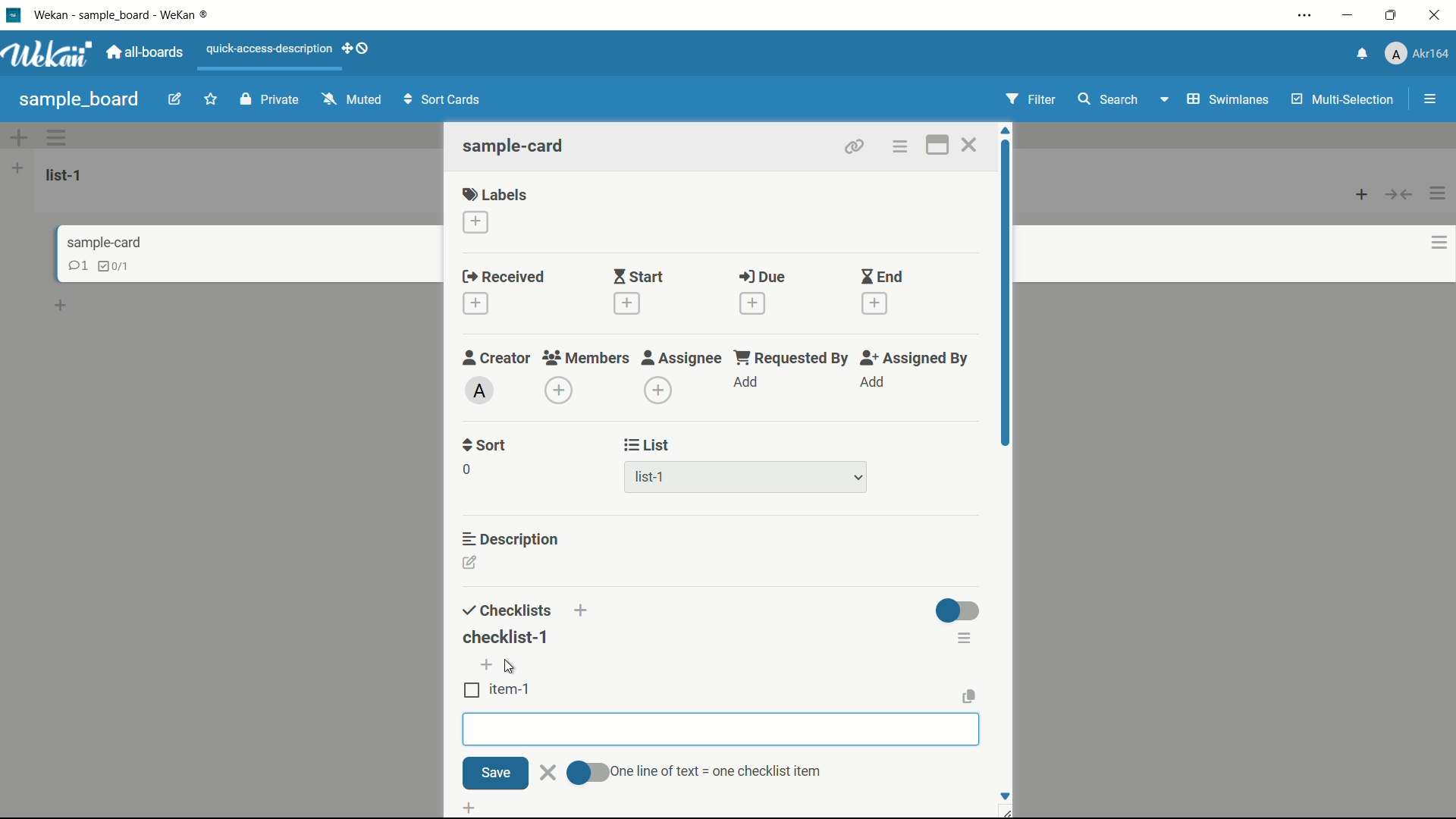 The width and height of the screenshot is (1456, 819). Describe the element at coordinates (1212, 99) in the screenshot. I see ` Swimlanes` at that location.